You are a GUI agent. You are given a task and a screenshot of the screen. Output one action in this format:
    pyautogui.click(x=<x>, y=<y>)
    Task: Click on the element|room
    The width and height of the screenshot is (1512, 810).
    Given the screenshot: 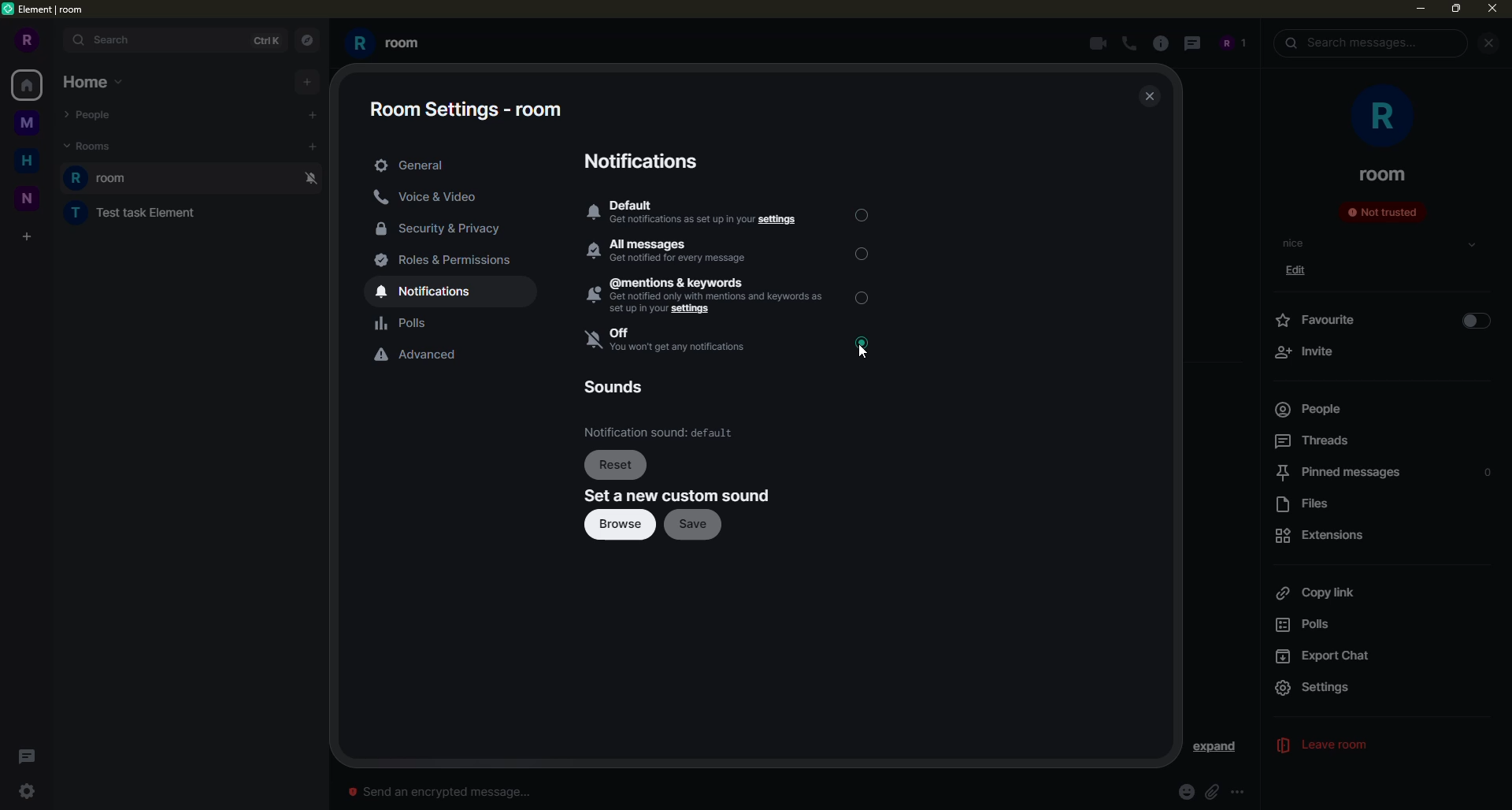 What is the action you would take?
    pyautogui.click(x=54, y=9)
    